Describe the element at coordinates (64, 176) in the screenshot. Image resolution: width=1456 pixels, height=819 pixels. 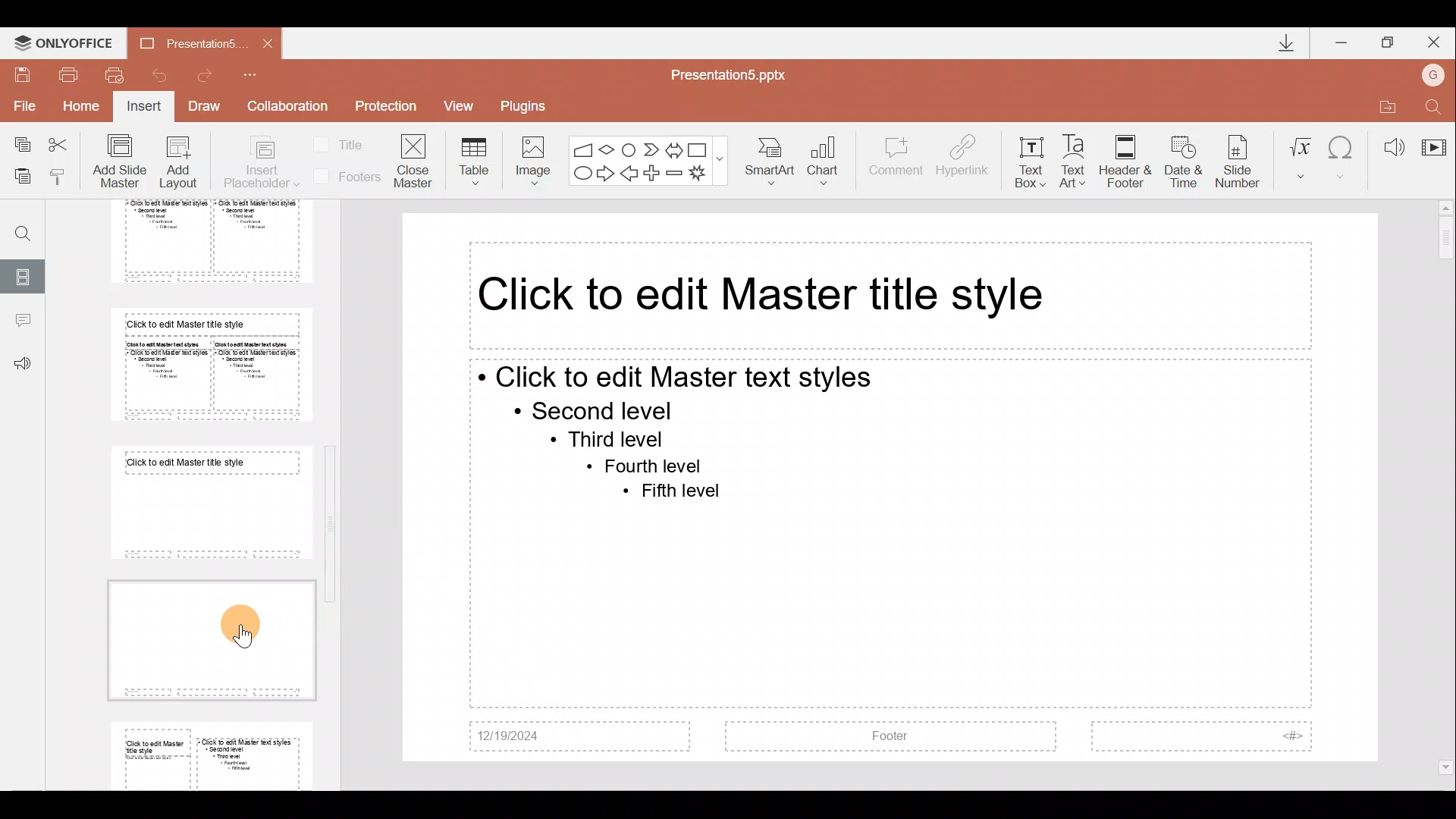
I see `Copy style` at that location.